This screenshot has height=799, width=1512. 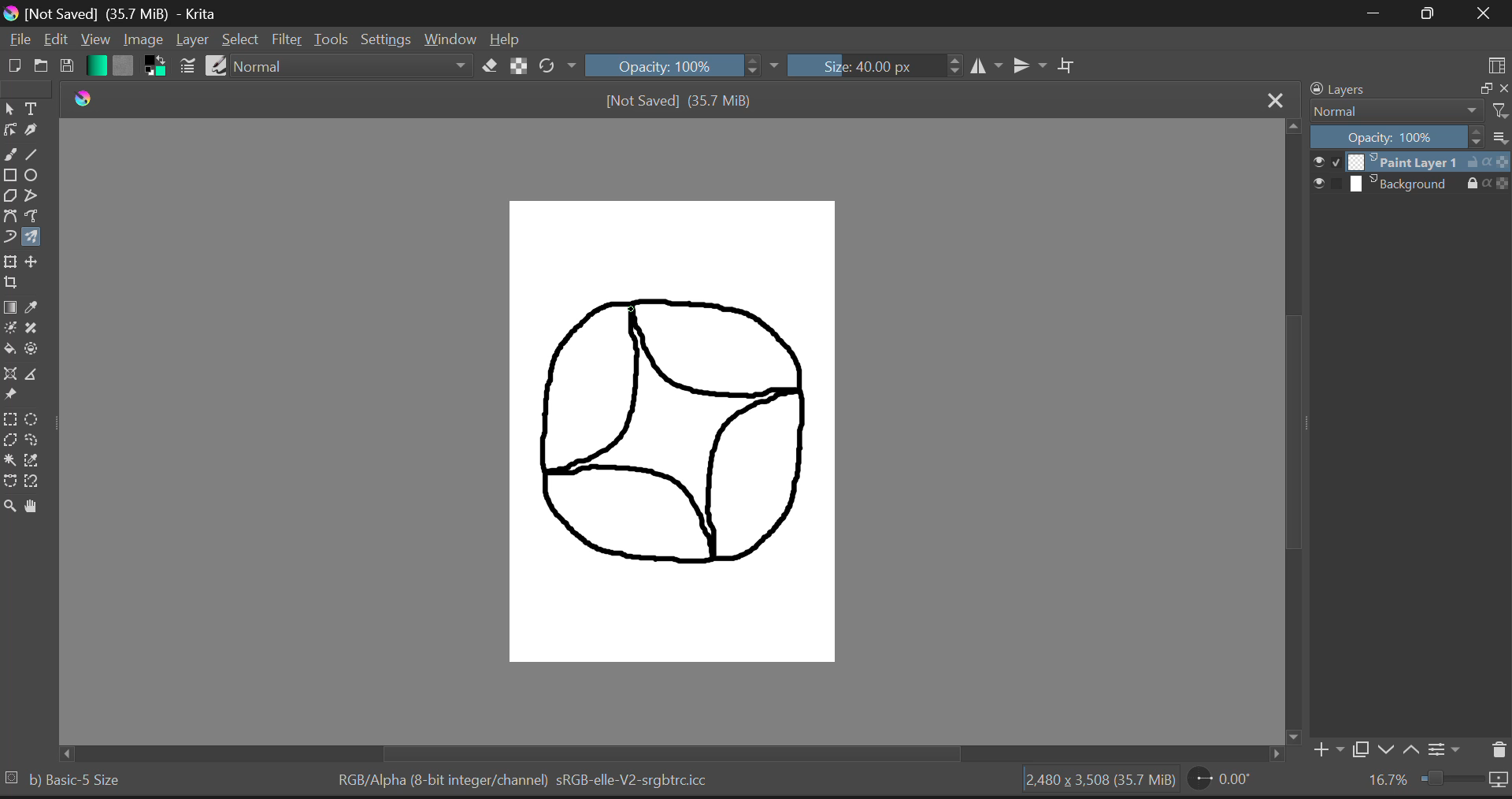 What do you see at coordinates (876, 65) in the screenshot?
I see `Size: 40.00 px` at bounding box center [876, 65].